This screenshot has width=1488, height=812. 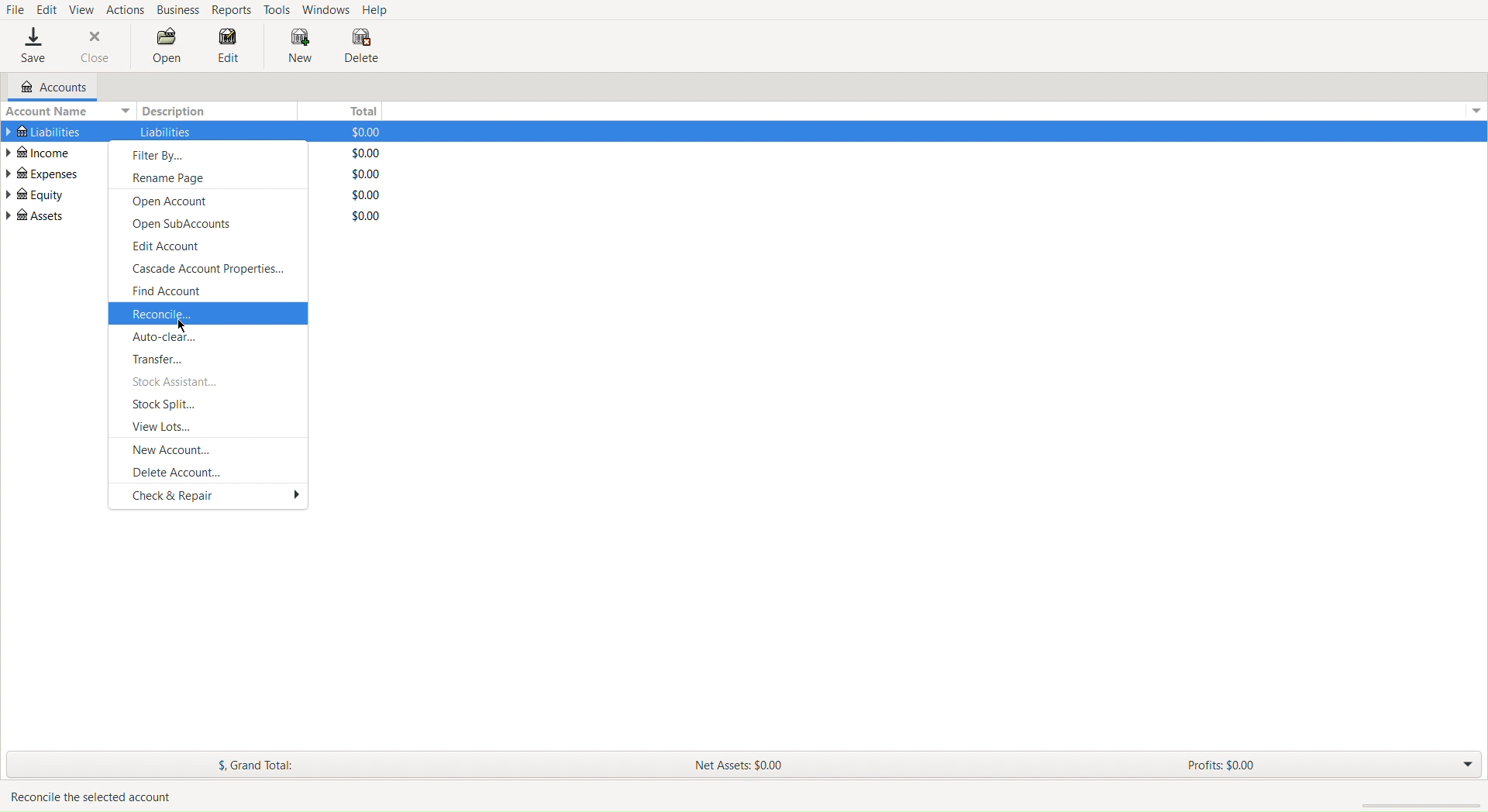 What do you see at coordinates (37, 216) in the screenshot?
I see `Assets` at bounding box center [37, 216].